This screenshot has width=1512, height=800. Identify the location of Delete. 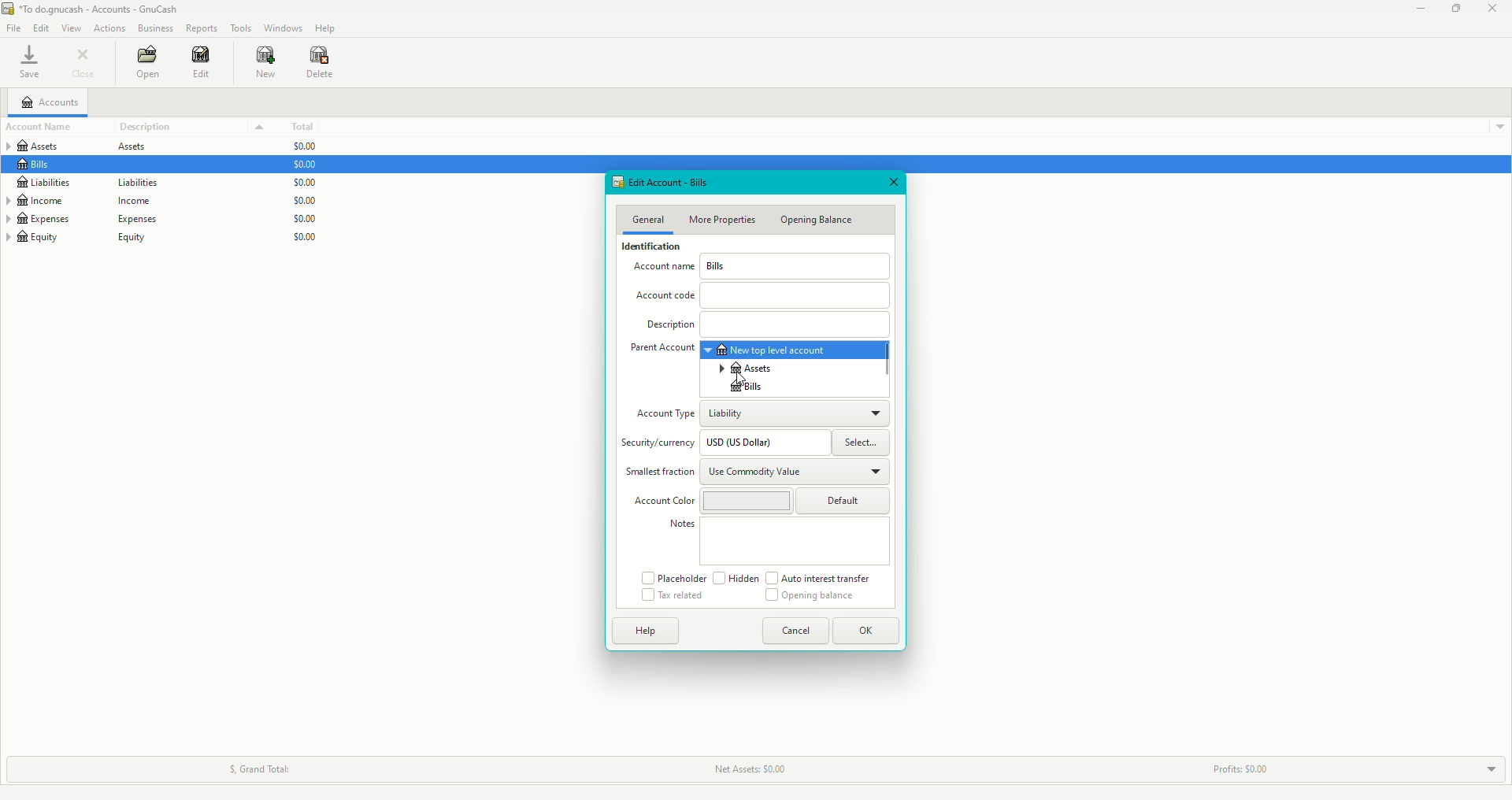
(321, 65).